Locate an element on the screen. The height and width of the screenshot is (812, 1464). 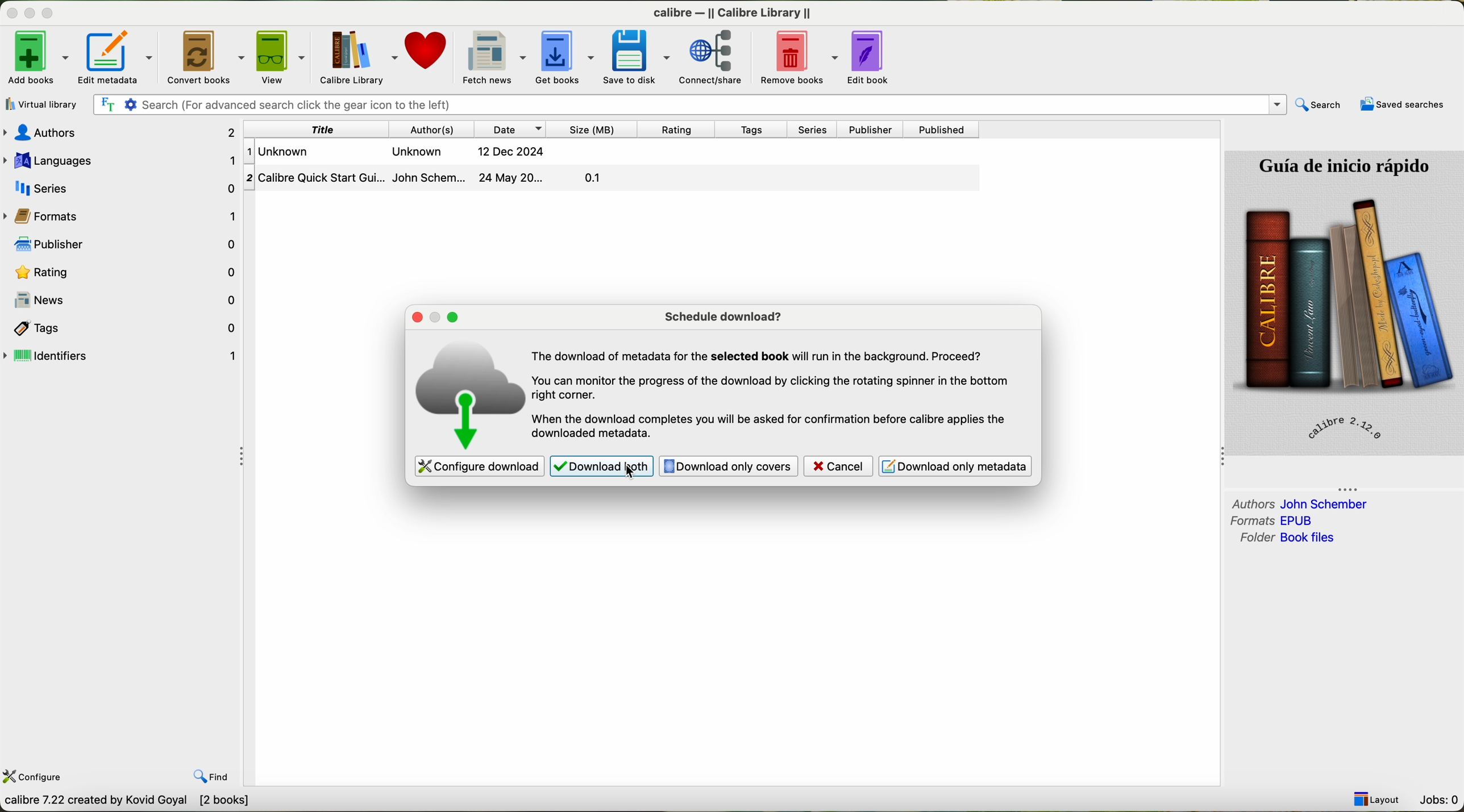
click on add books is located at coordinates (38, 56).